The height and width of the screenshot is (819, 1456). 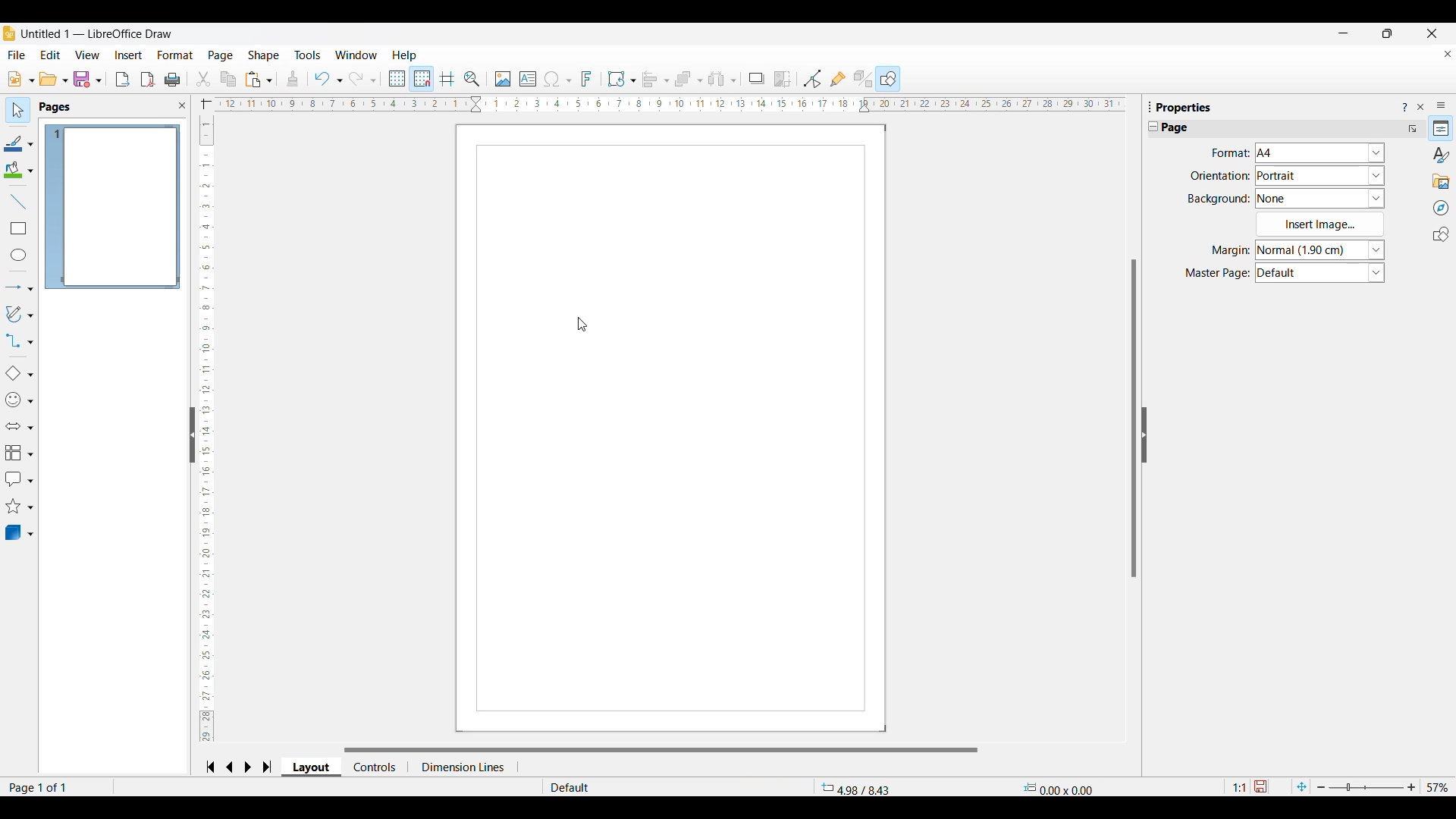 I want to click on Line color options, so click(x=19, y=143).